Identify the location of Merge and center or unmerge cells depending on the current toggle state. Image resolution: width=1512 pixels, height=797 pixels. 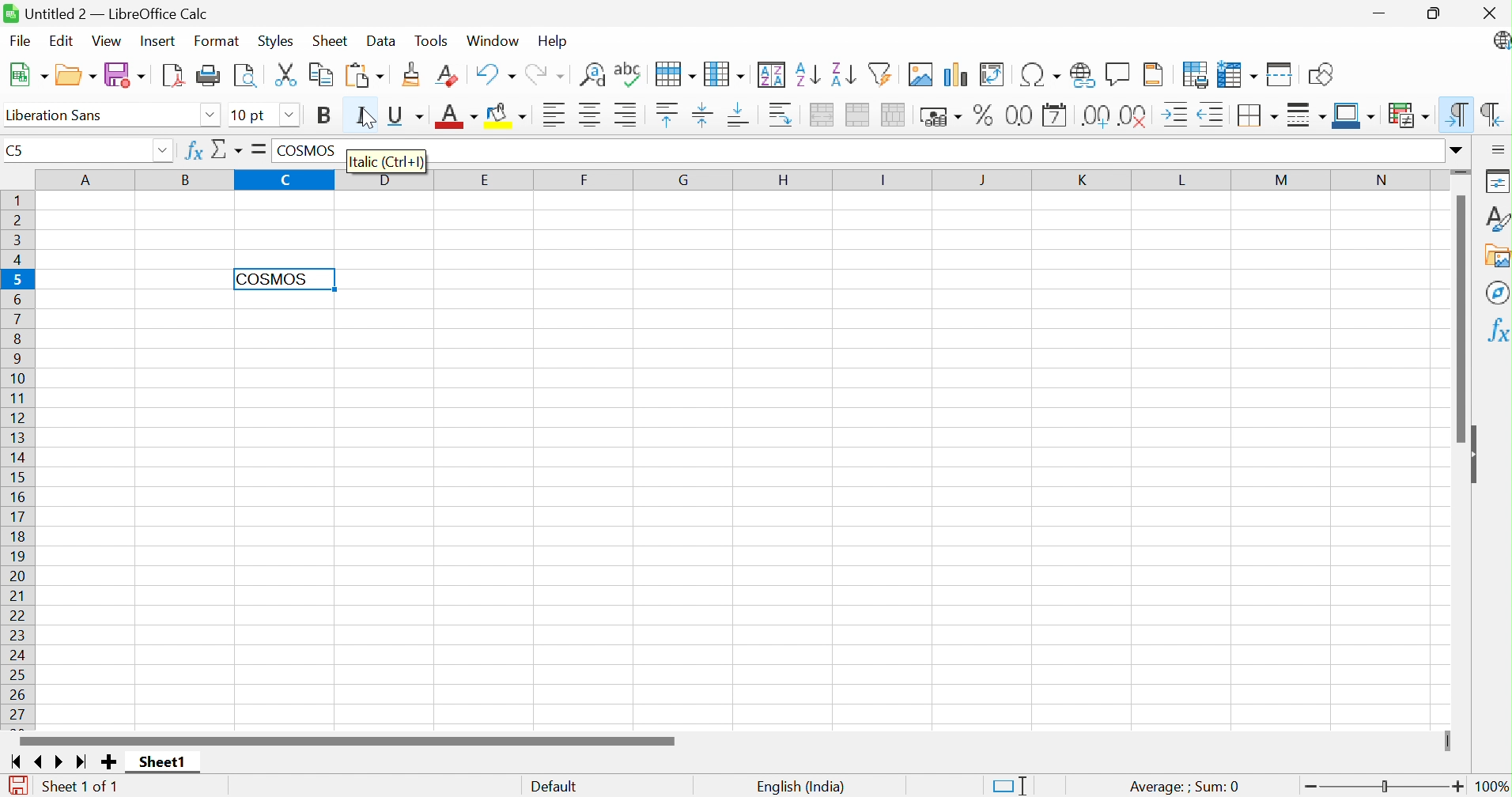
(820, 116).